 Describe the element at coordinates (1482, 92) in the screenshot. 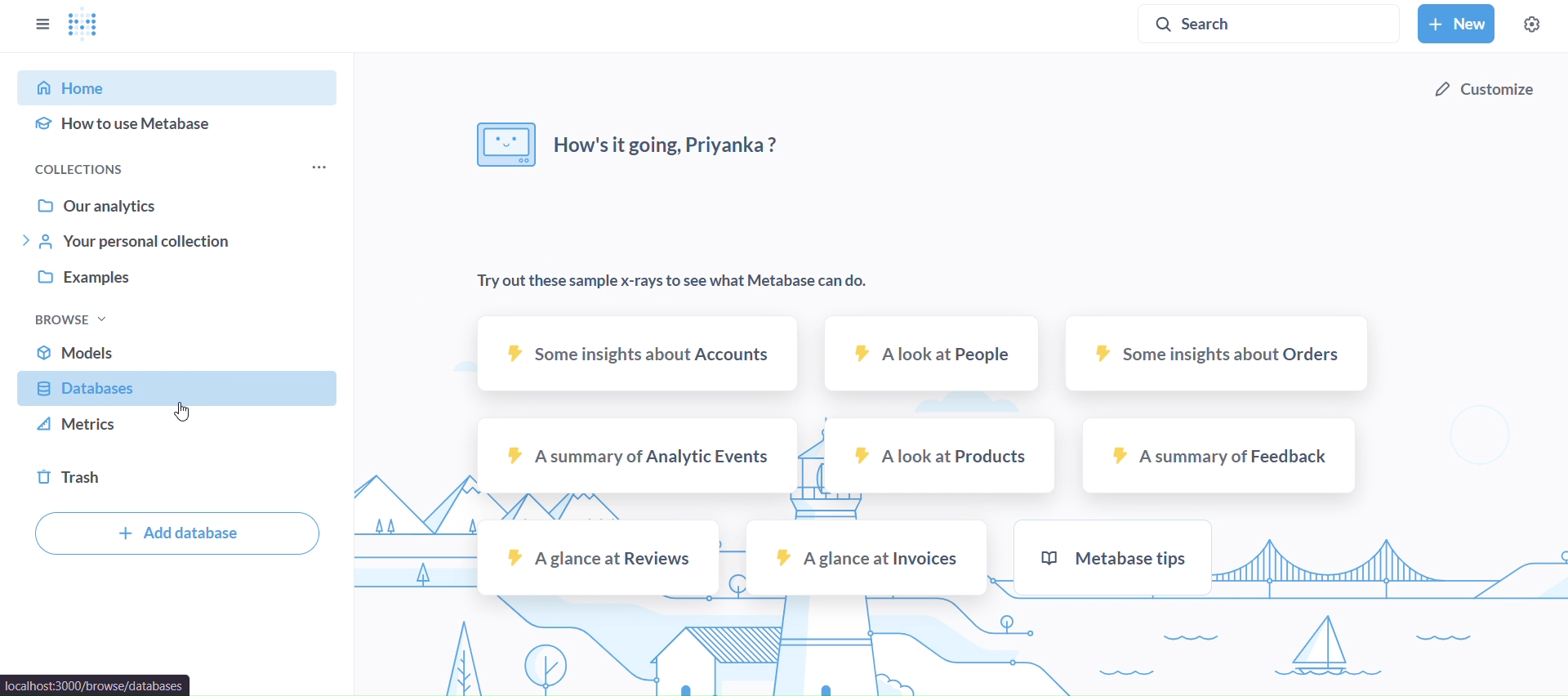

I see `customize` at that location.